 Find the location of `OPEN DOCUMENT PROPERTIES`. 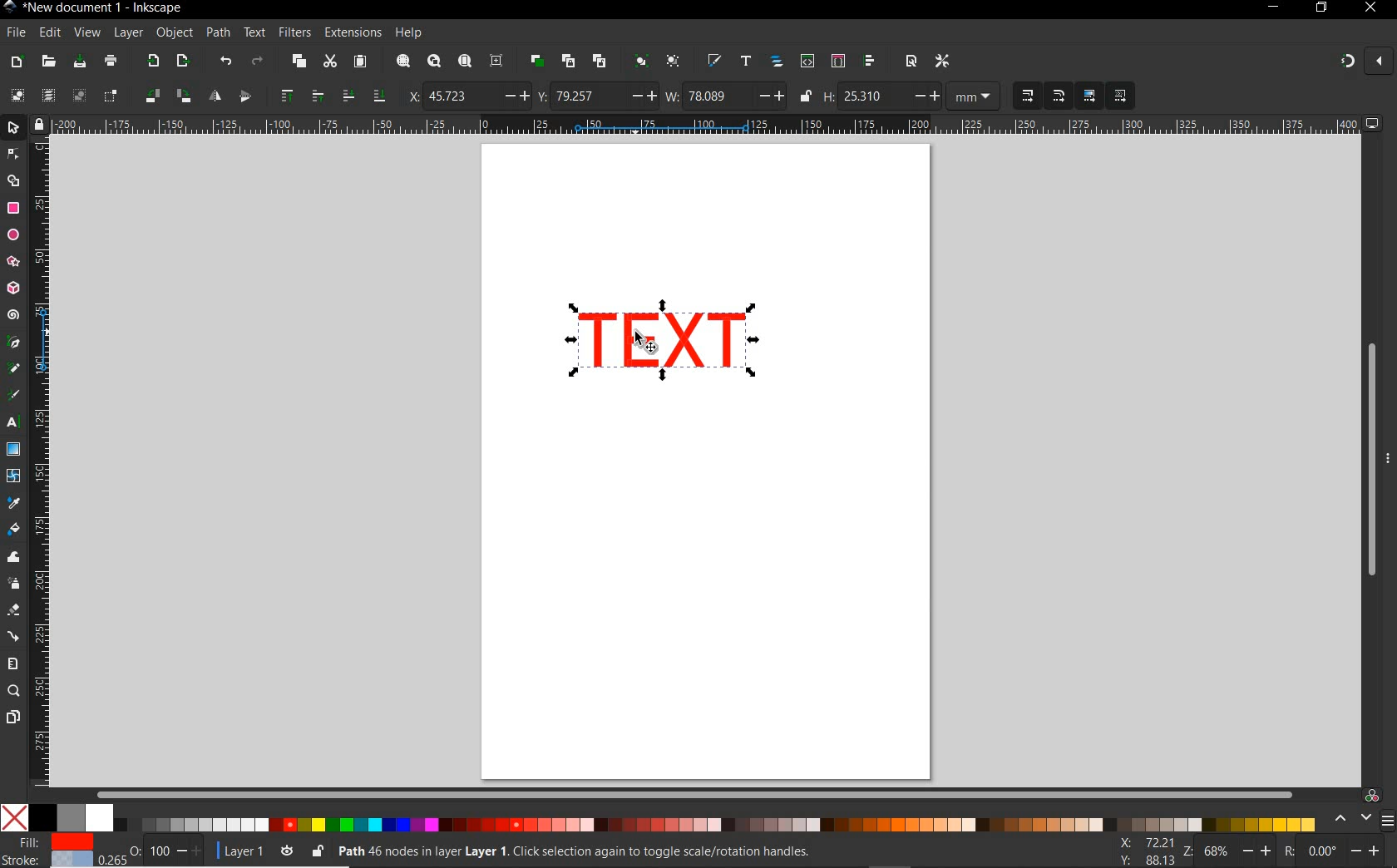

OPEN DOCUMENT PROPERTIES is located at coordinates (911, 61).